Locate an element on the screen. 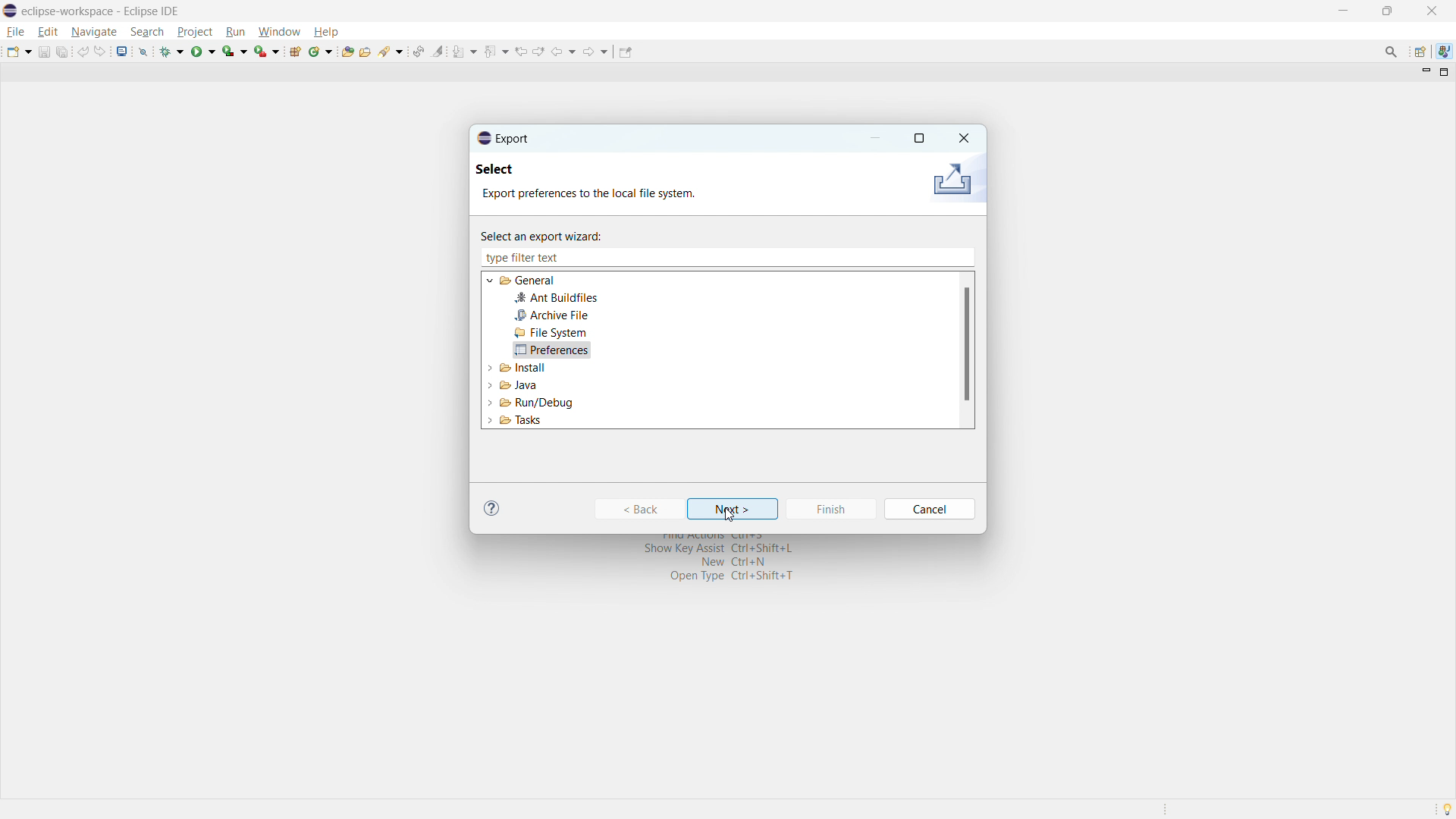 The height and width of the screenshot is (819, 1456). ant buildfiles is located at coordinates (557, 298).